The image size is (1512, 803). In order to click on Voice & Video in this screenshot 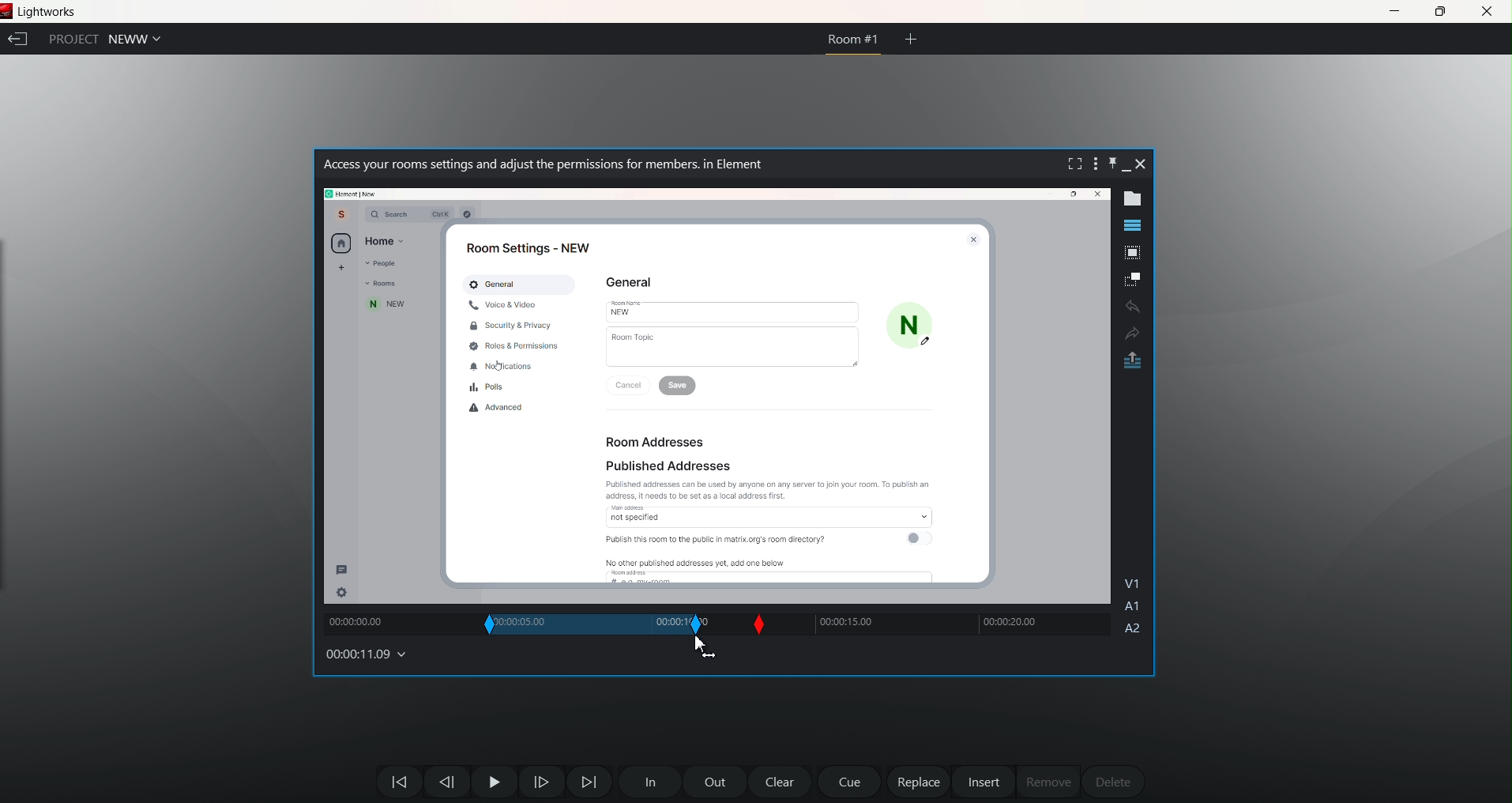, I will do `click(503, 303)`.